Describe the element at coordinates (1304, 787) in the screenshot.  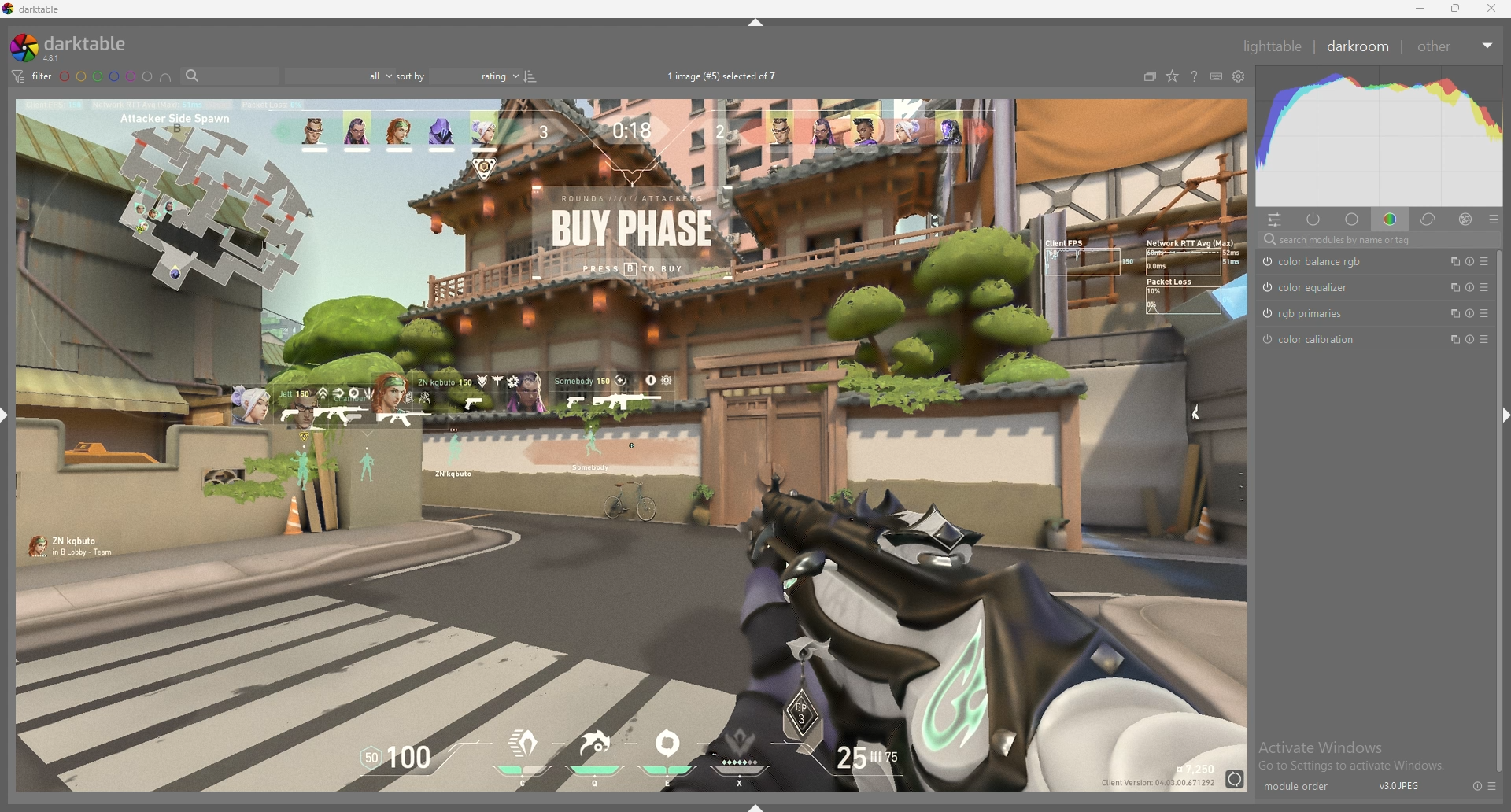
I see `module order` at that location.